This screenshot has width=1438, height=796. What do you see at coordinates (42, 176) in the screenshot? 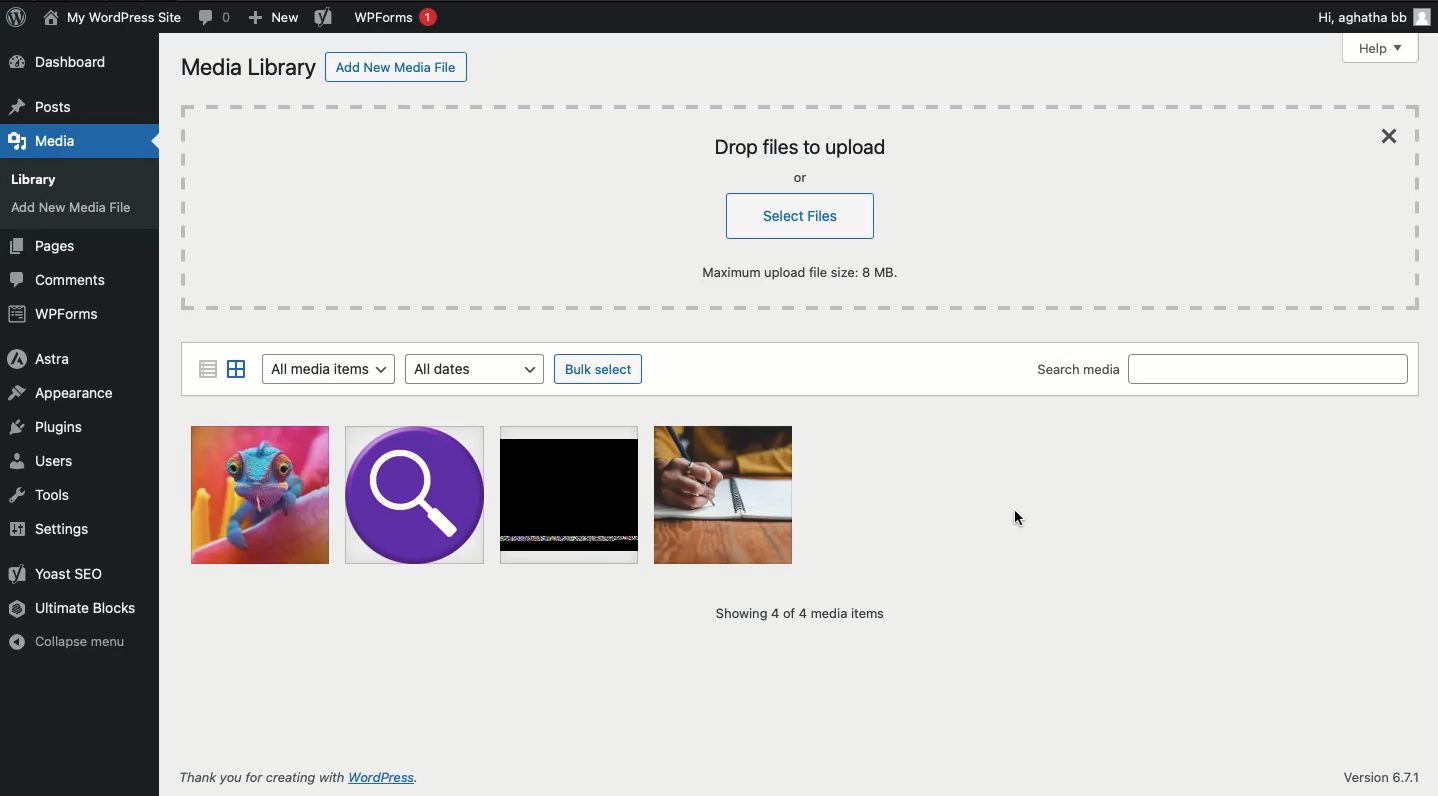
I see `Library` at bounding box center [42, 176].